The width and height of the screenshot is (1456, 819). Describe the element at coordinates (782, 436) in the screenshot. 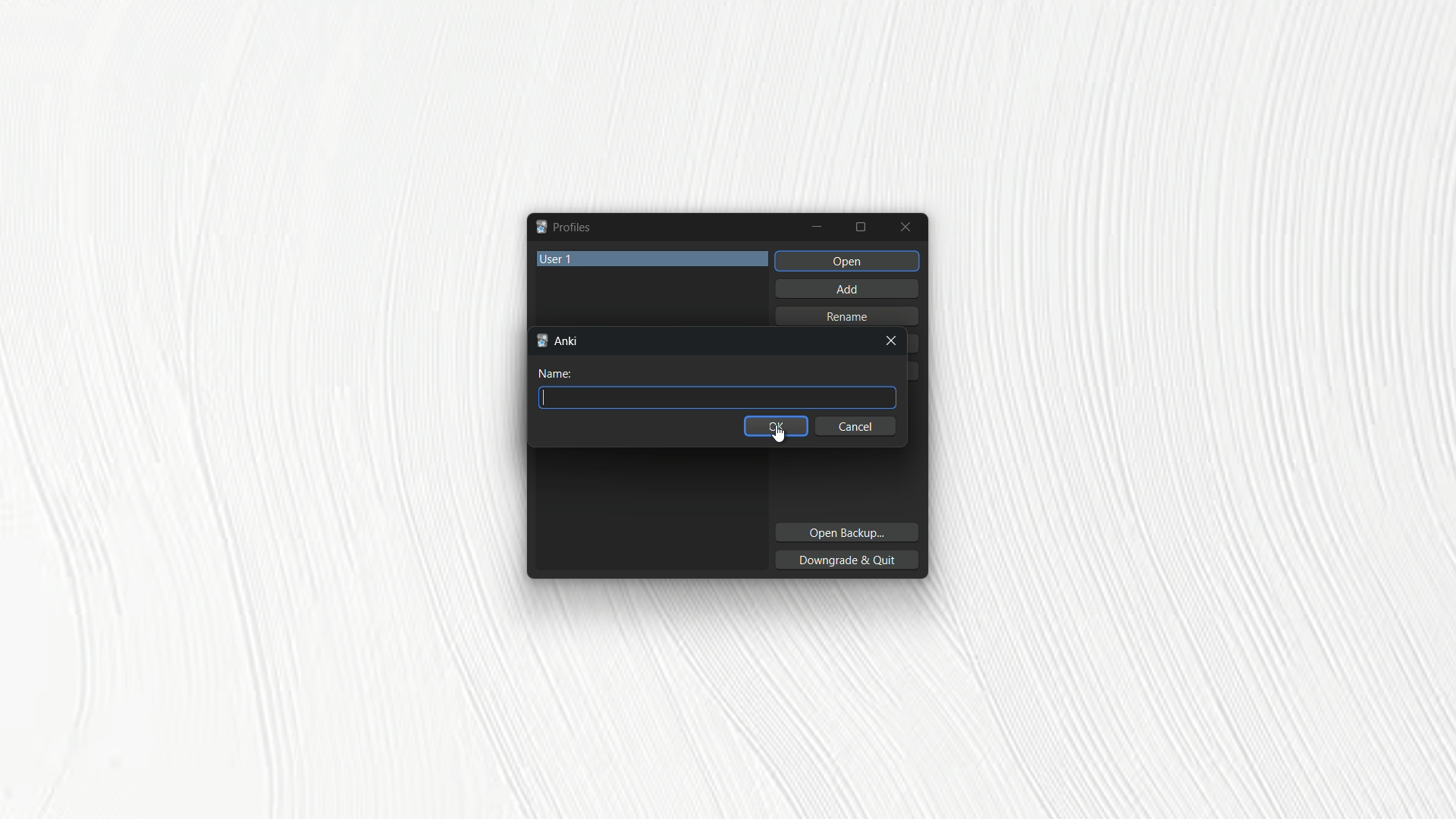

I see `cursor` at that location.